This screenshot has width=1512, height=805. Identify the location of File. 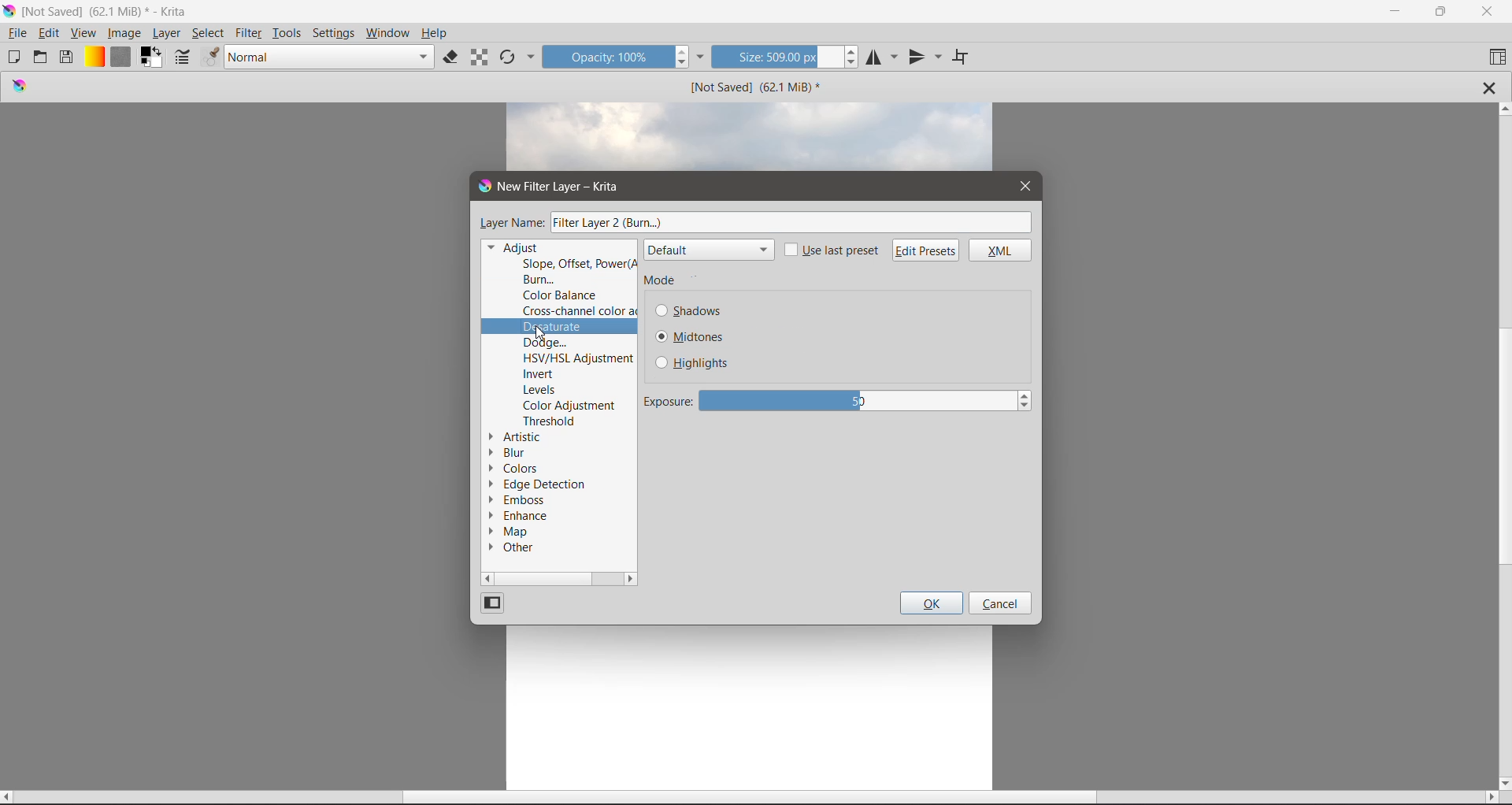
(17, 33).